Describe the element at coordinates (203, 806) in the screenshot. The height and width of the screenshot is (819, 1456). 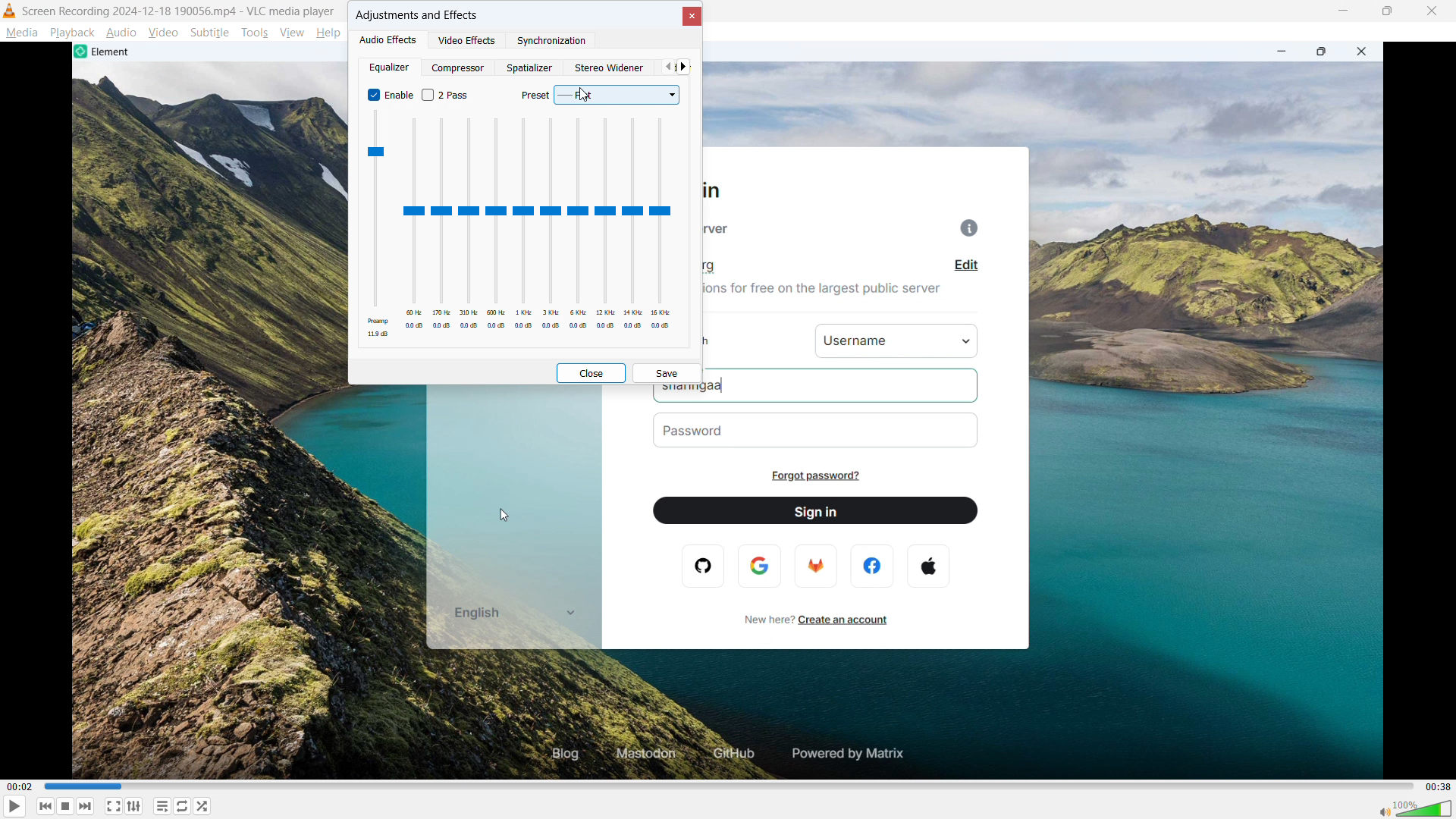
I see `shuffle` at that location.